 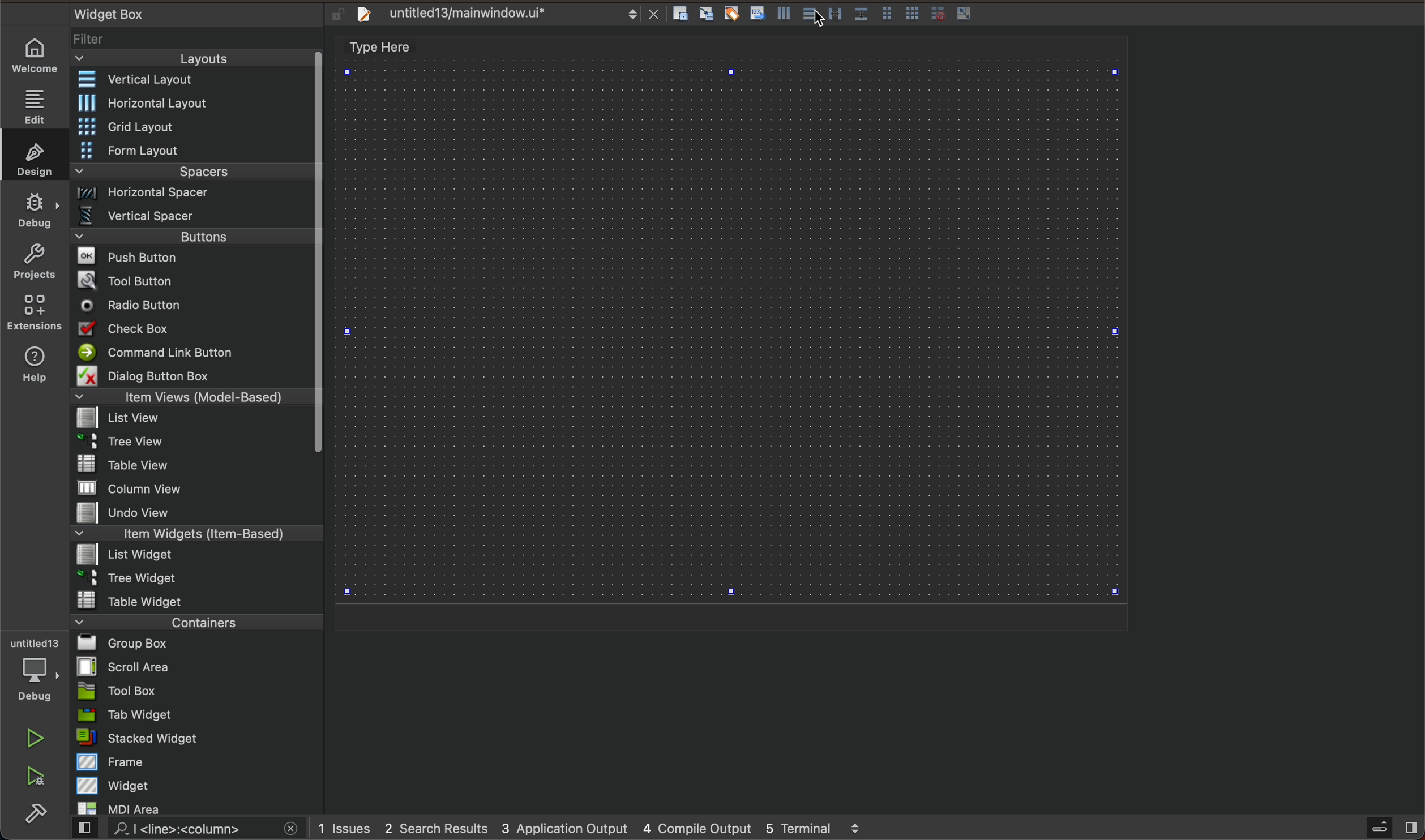 What do you see at coordinates (199, 644) in the screenshot?
I see `group box` at bounding box center [199, 644].